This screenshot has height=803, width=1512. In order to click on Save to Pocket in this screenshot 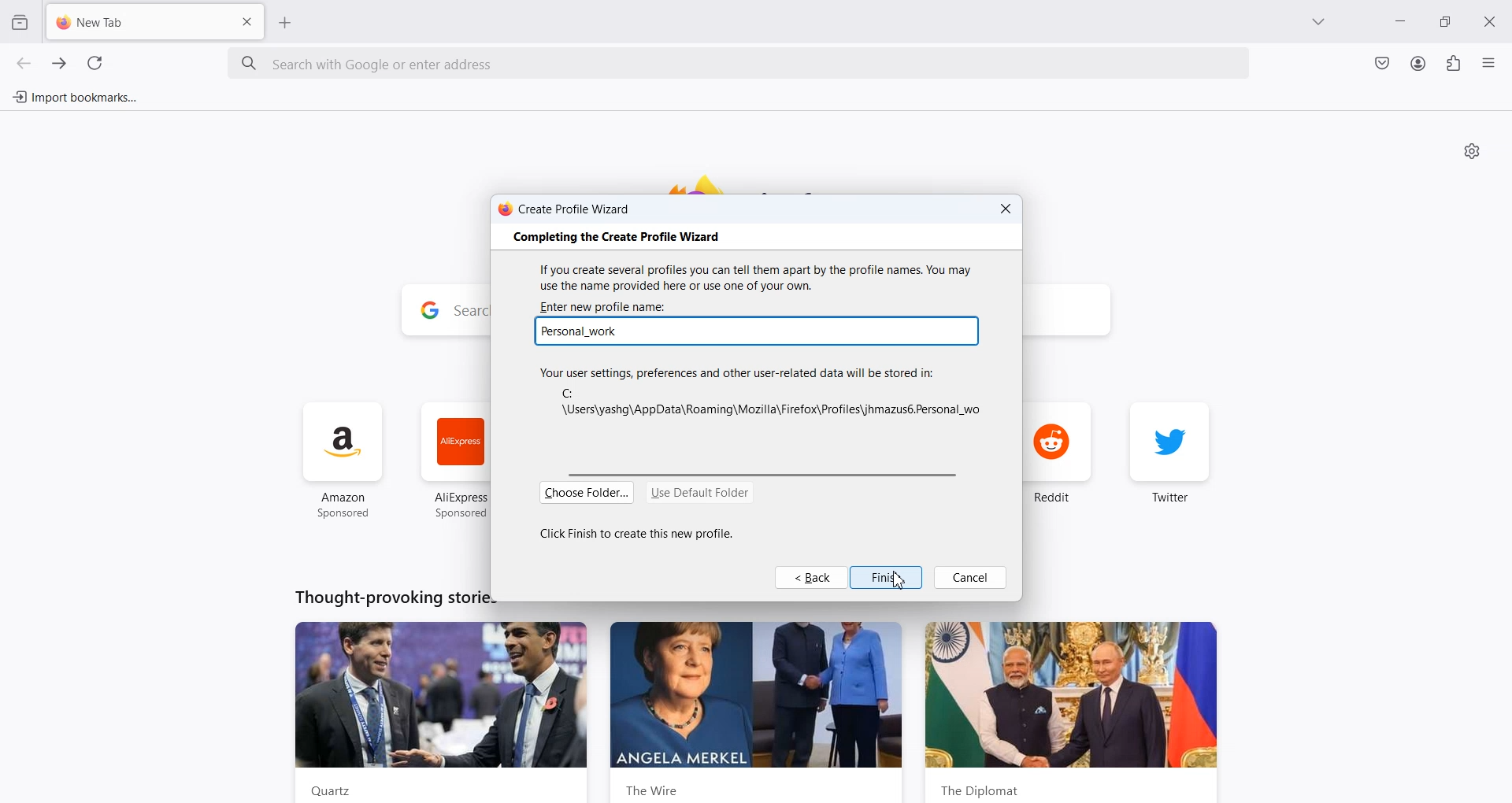, I will do `click(1380, 63)`.